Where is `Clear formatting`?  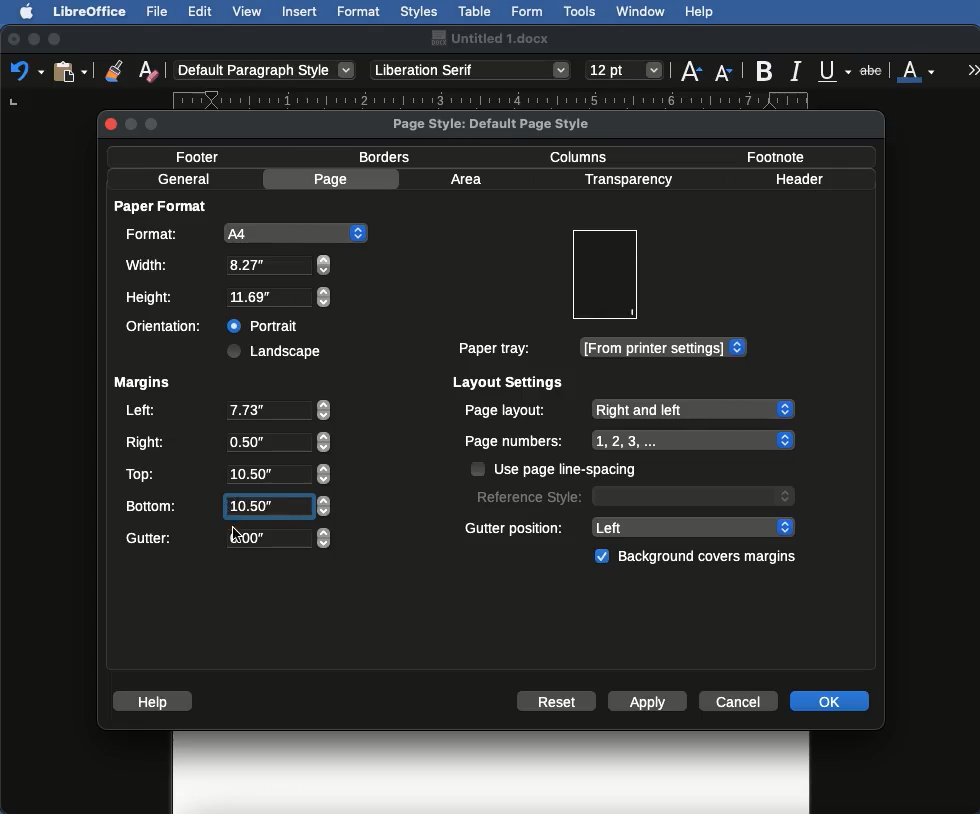 Clear formatting is located at coordinates (148, 69).